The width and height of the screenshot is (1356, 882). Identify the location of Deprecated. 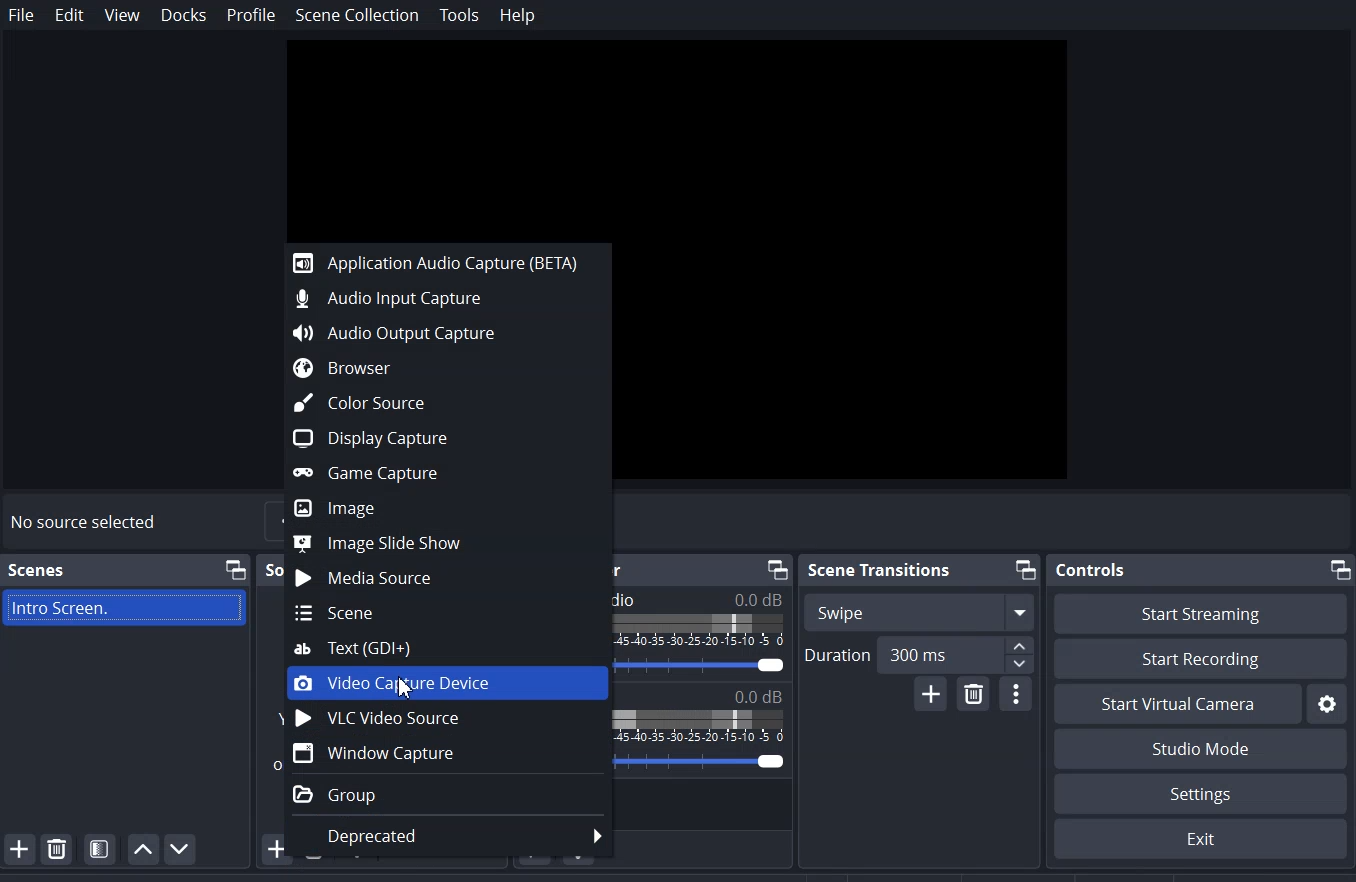
(449, 836).